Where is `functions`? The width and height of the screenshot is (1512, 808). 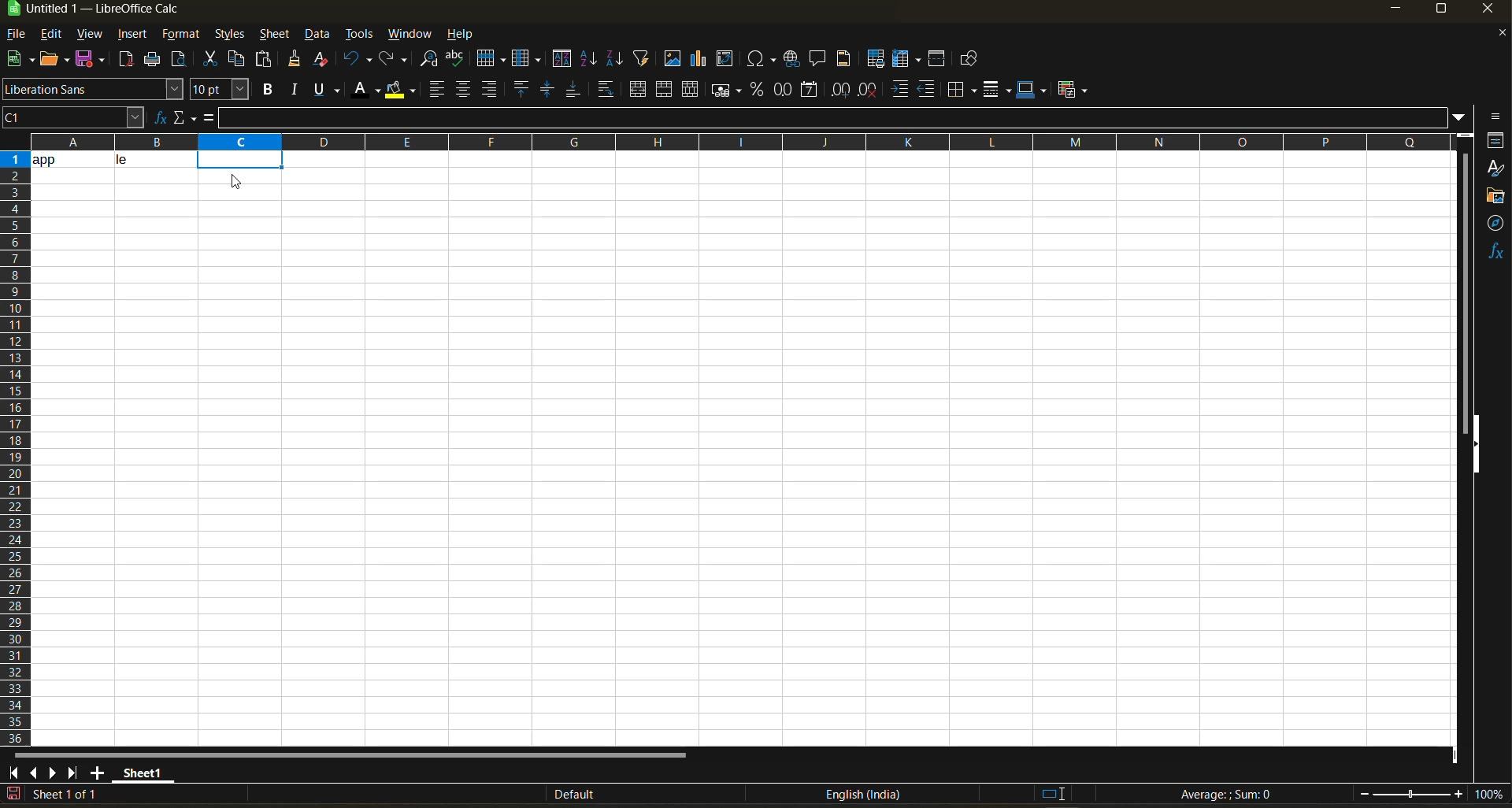
functions is located at coordinates (1495, 251).